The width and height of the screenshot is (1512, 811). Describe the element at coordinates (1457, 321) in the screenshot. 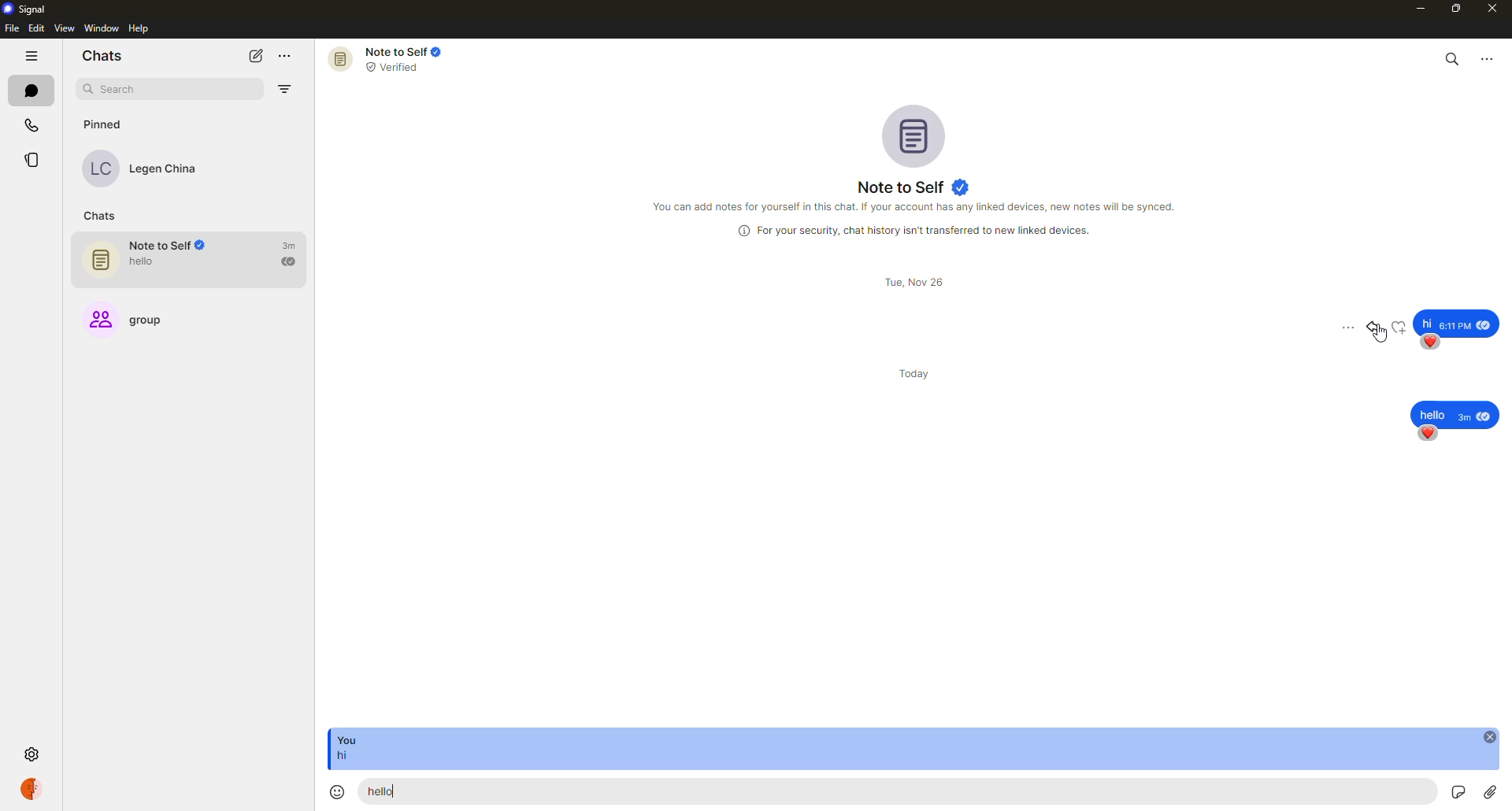

I see `message` at that location.